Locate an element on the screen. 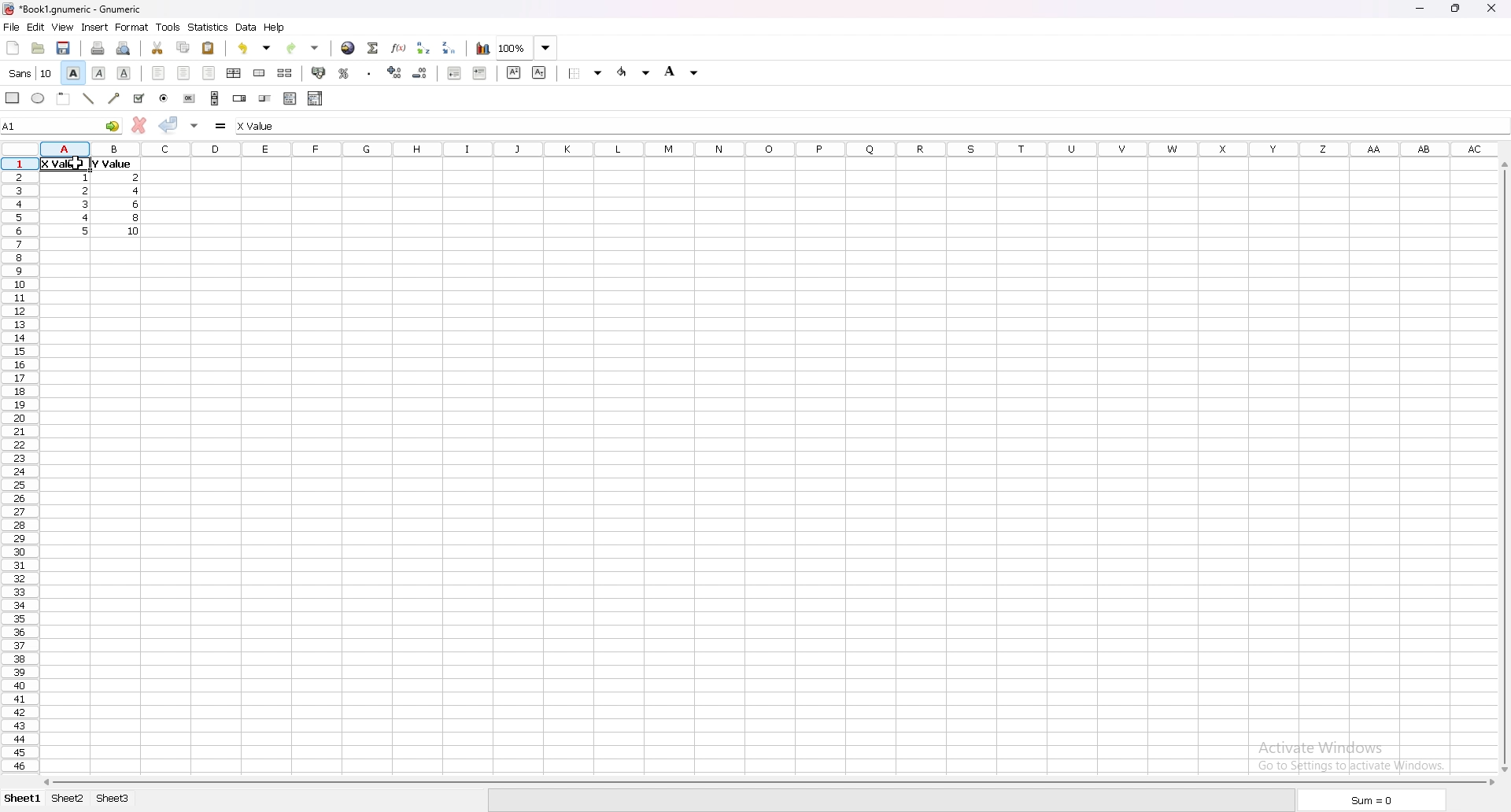 This screenshot has width=1511, height=812. value is located at coordinates (85, 203).